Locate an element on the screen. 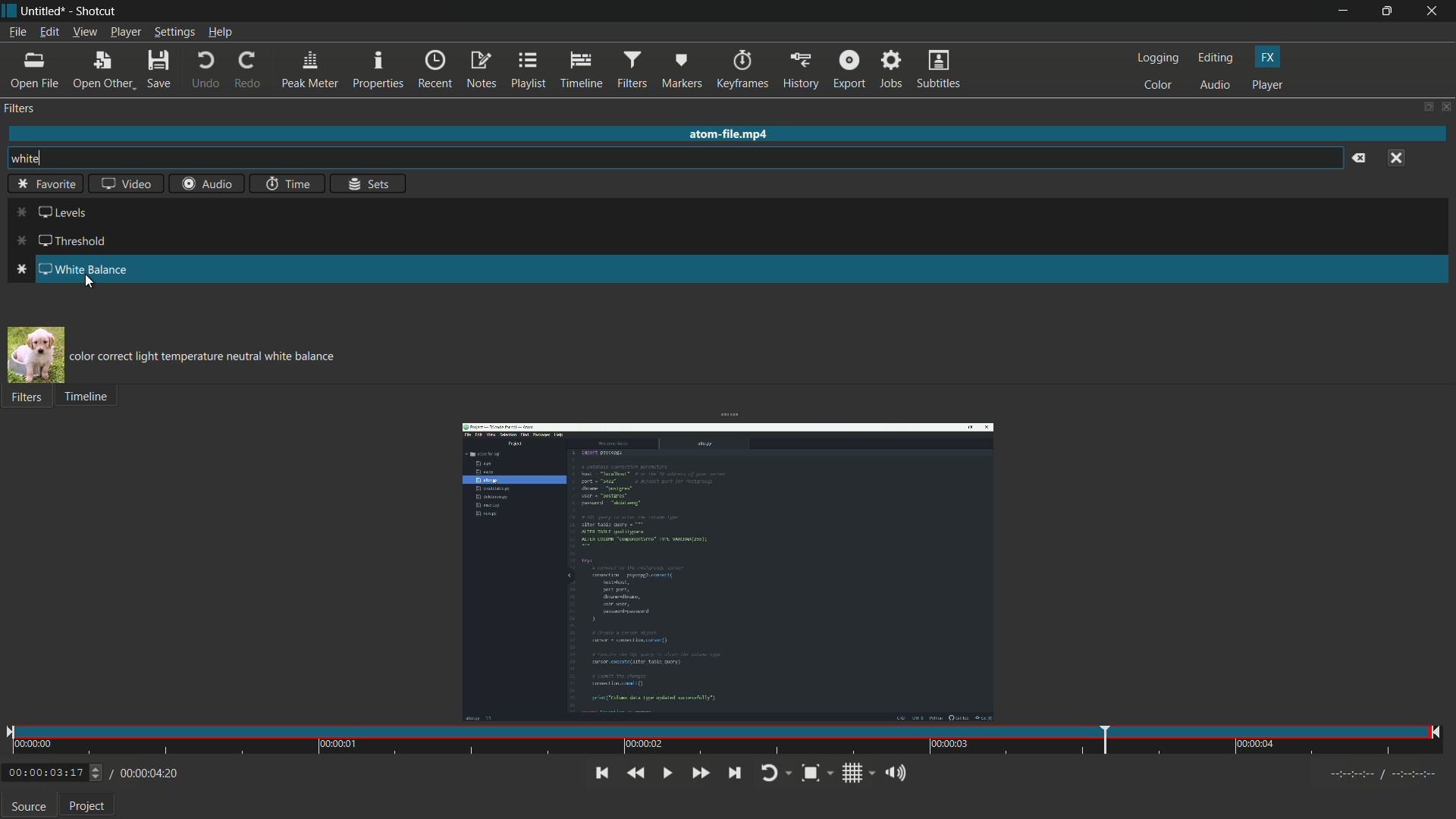  close app is located at coordinates (1435, 11).